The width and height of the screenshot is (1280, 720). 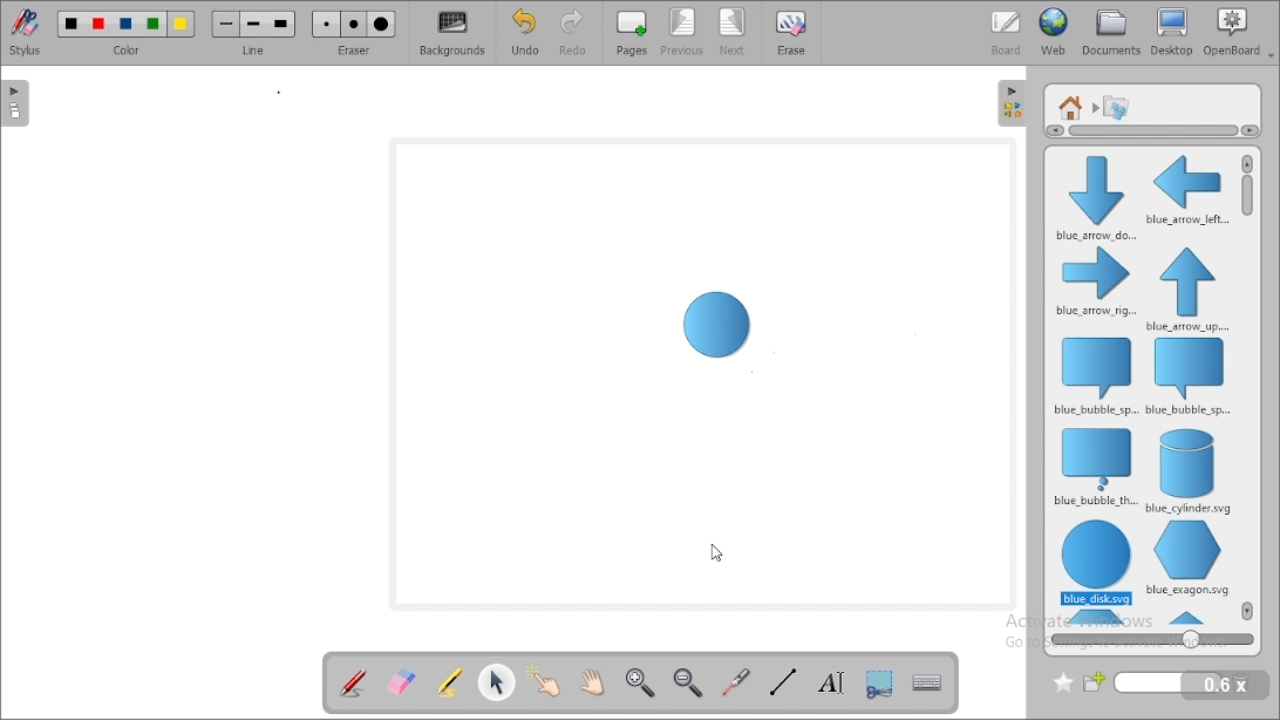 I want to click on blue bubble speak, so click(x=1094, y=375).